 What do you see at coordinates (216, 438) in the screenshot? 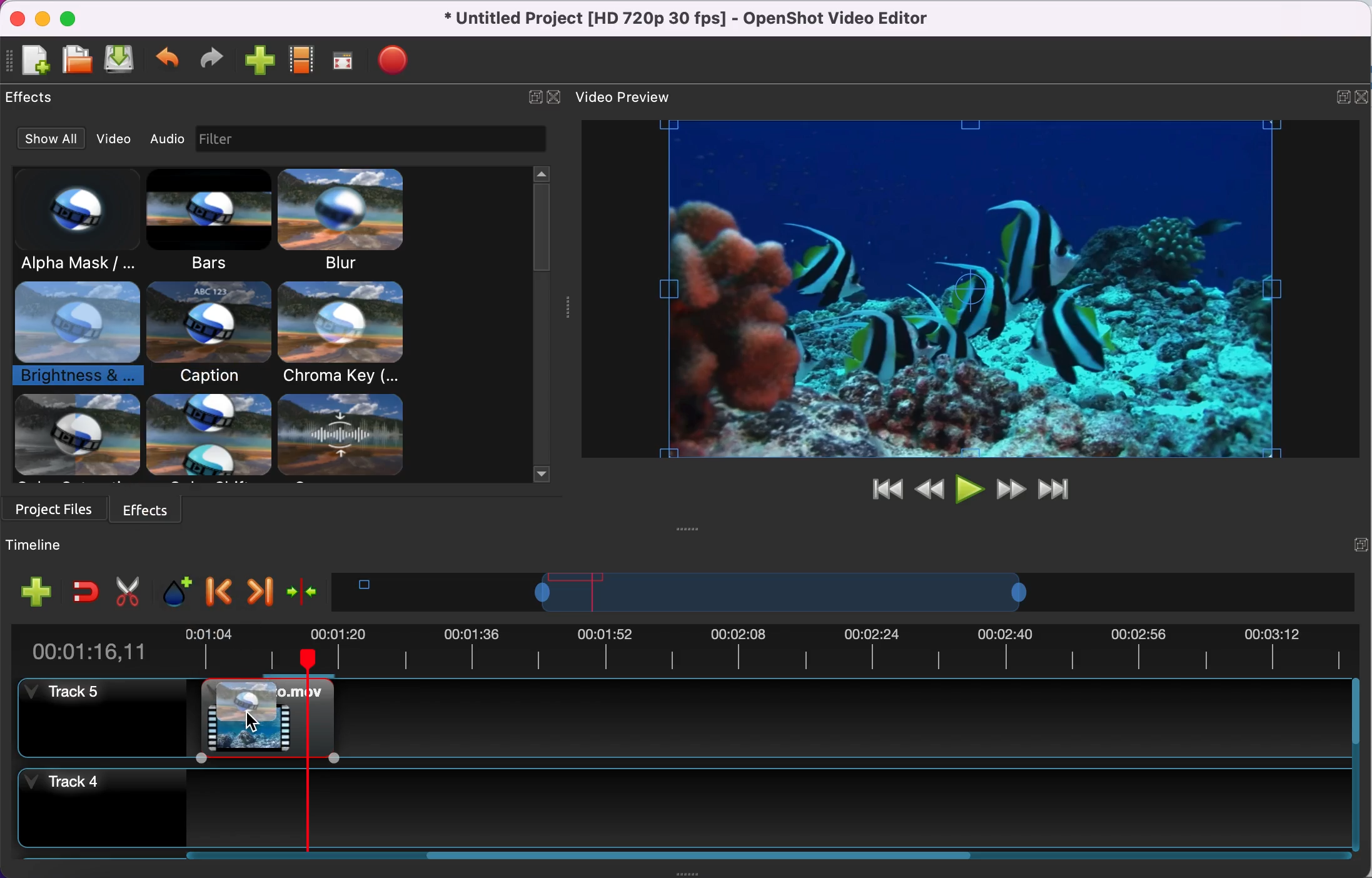
I see `other effects` at bounding box center [216, 438].